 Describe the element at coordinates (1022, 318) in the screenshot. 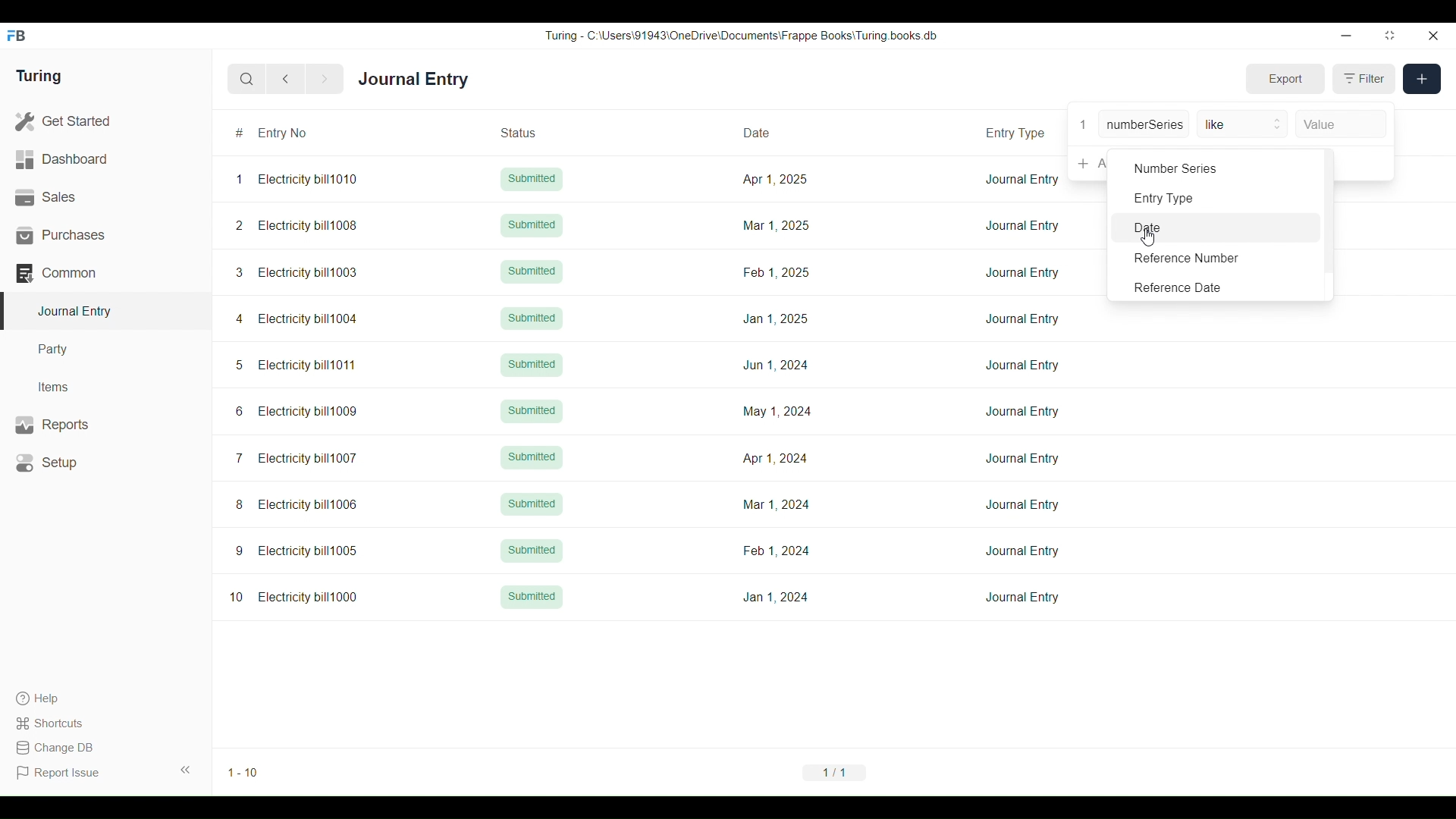

I see `Journal Entry` at that location.